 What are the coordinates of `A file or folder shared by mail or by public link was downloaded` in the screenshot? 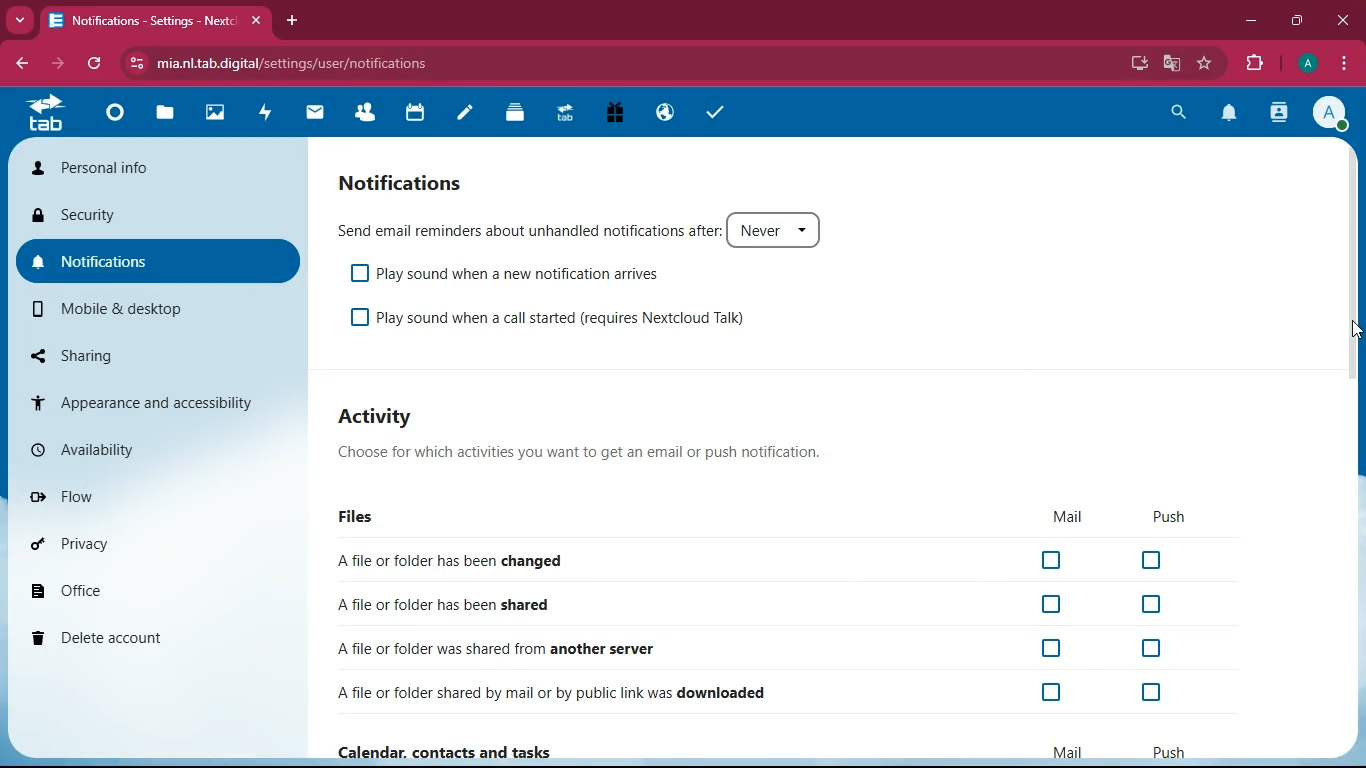 It's located at (559, 690).